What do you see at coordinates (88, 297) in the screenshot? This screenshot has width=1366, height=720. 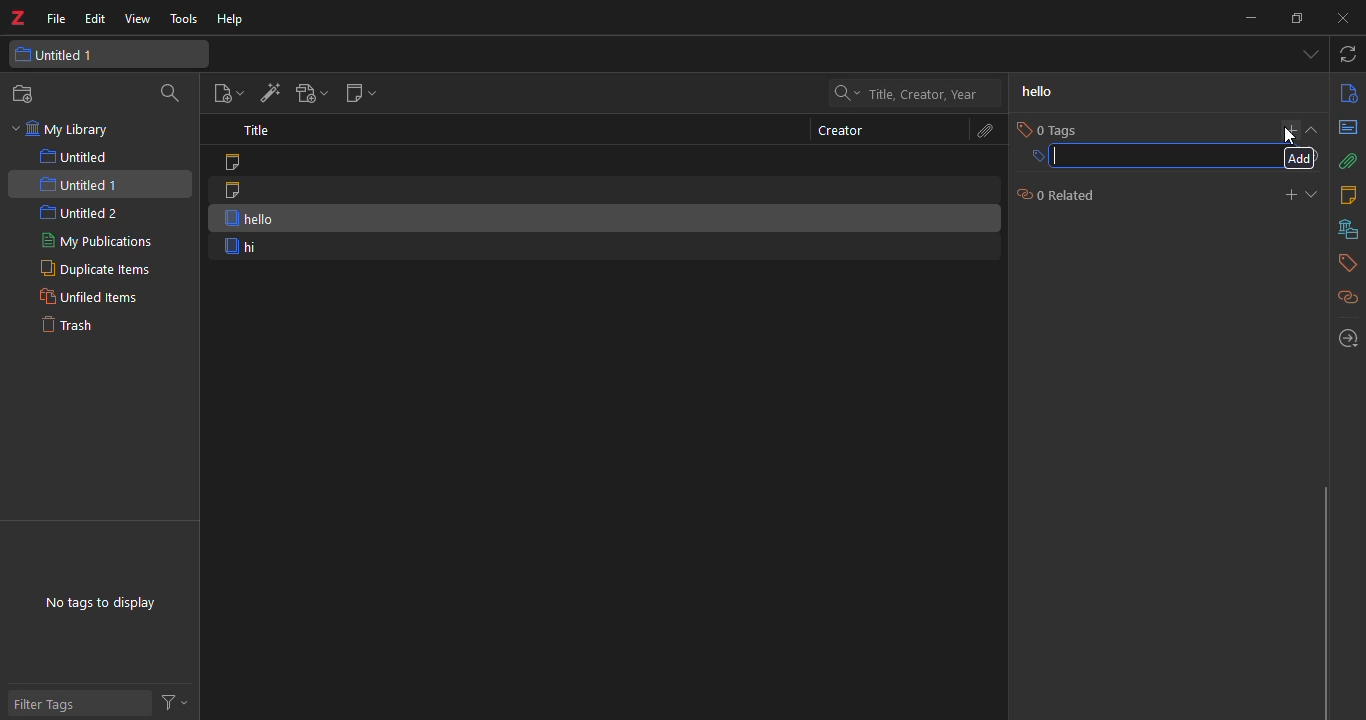 I see `unfiled items` at bounding box center [88, 297].